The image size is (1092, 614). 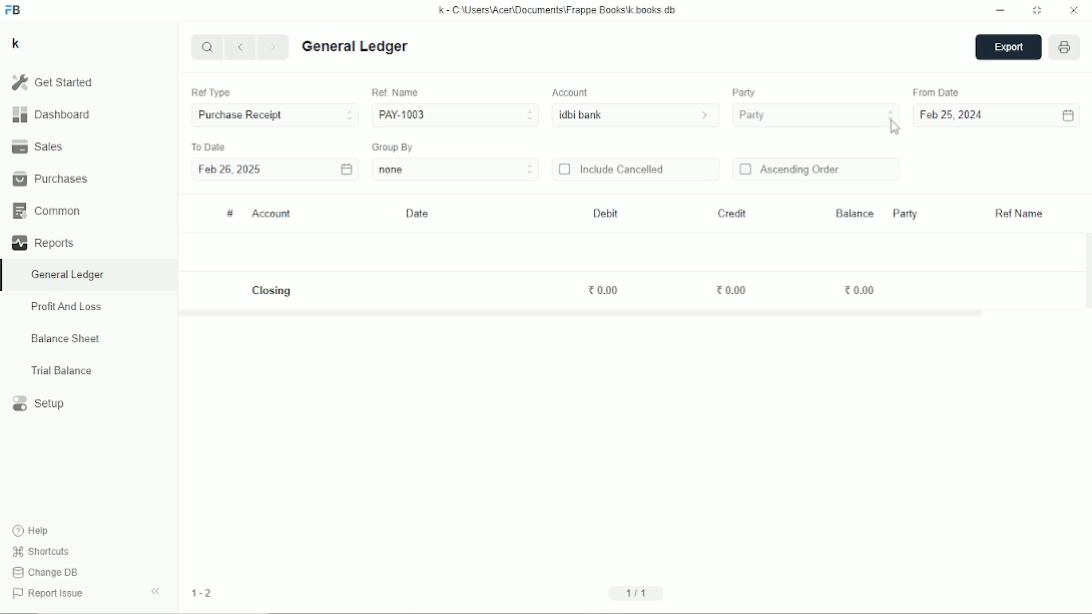 I want to click on Purchase receipt, so click(x=274, y=116).